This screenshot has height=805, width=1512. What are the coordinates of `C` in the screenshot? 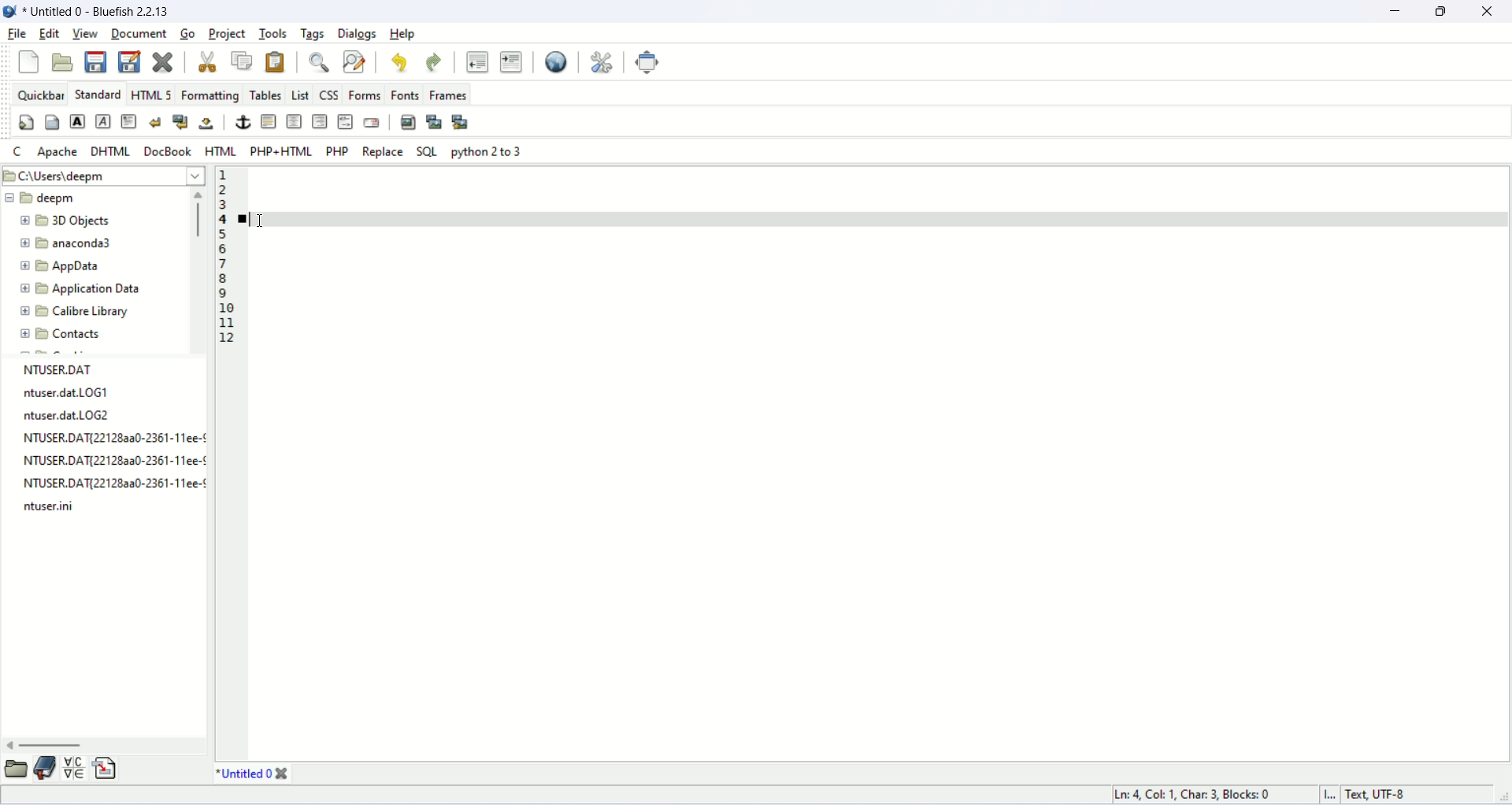 It's located at (13, 151).